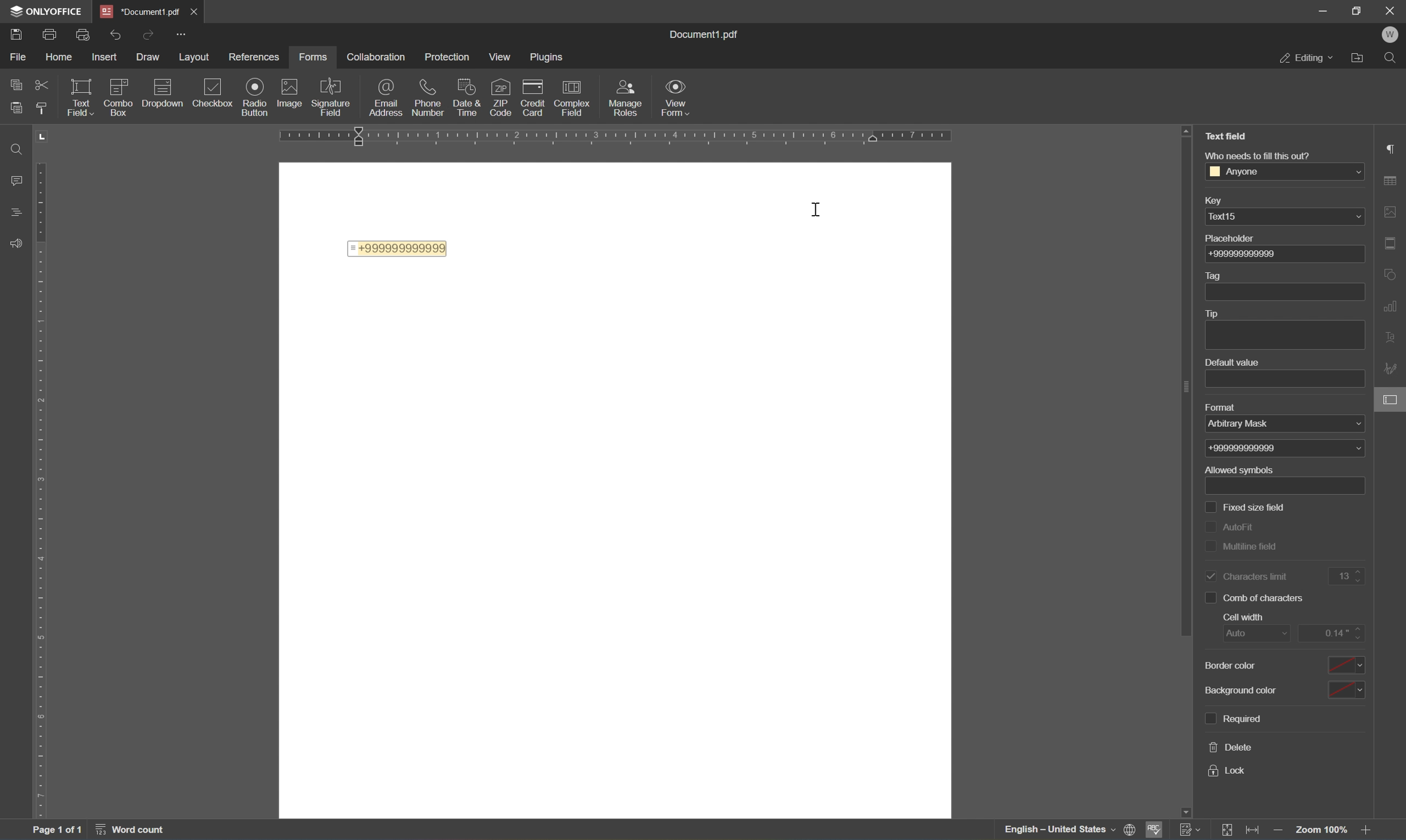 The width and height of the screenshot is (1406, 840). What do you see at coordinates (165, 88) in the screenshot?
I see `dropdown` at bounding box center [165, 88].